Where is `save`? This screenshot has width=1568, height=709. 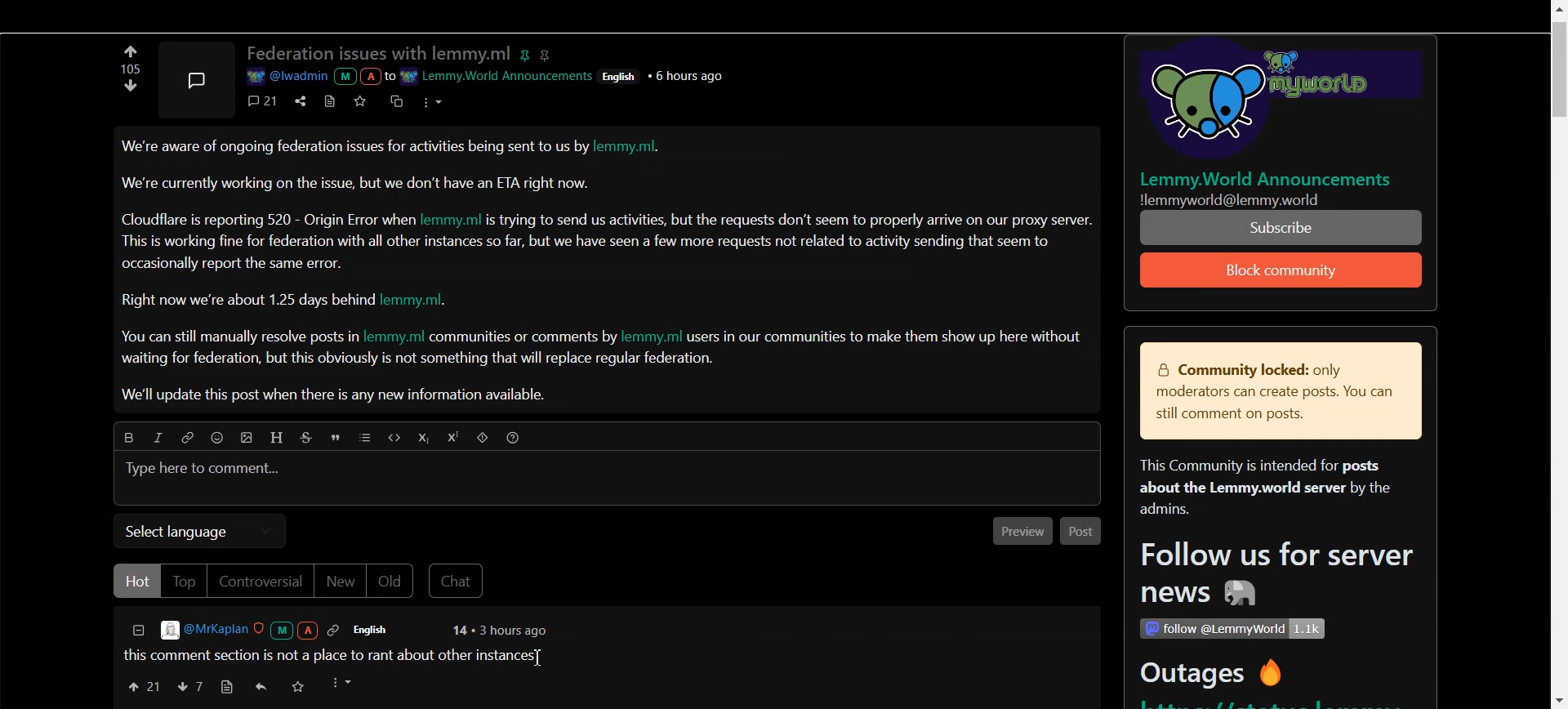 save is located at coordinates (363, 100).